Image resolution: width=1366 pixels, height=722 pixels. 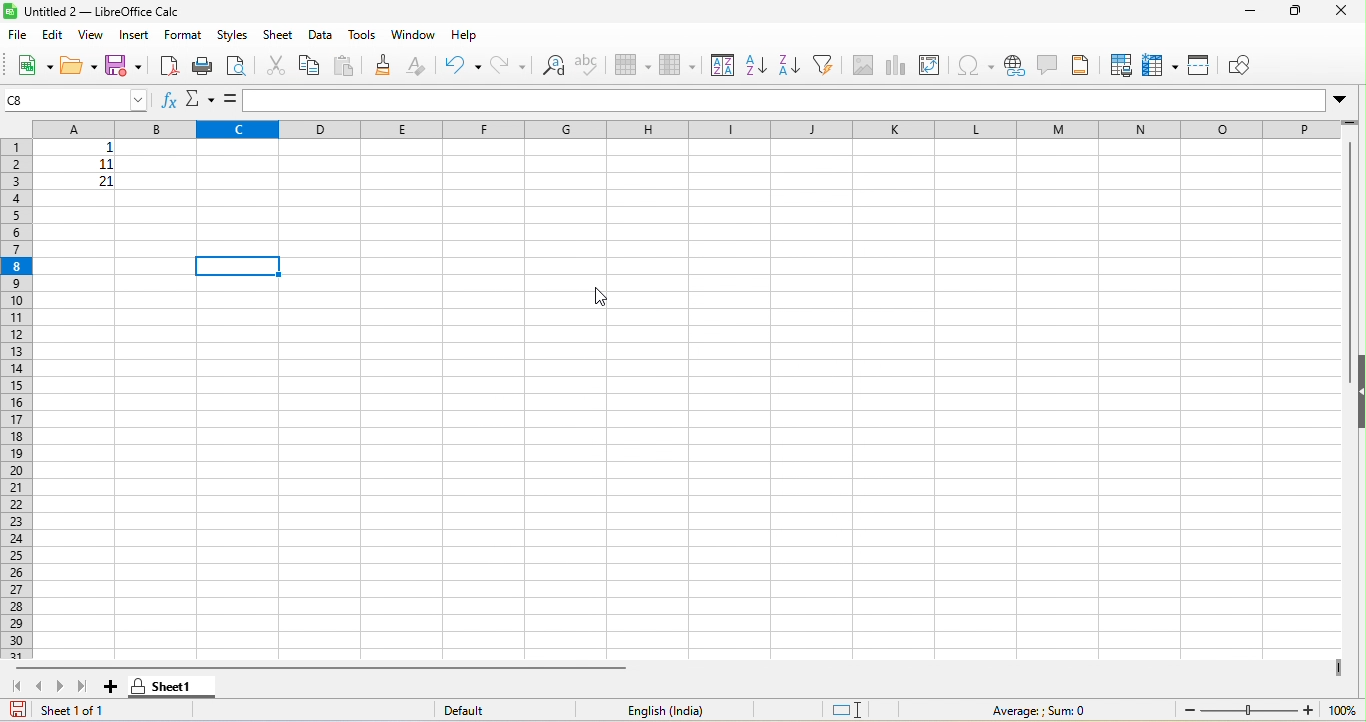 I want to click on sheet 1 of 1, so click(x=78, y=711).